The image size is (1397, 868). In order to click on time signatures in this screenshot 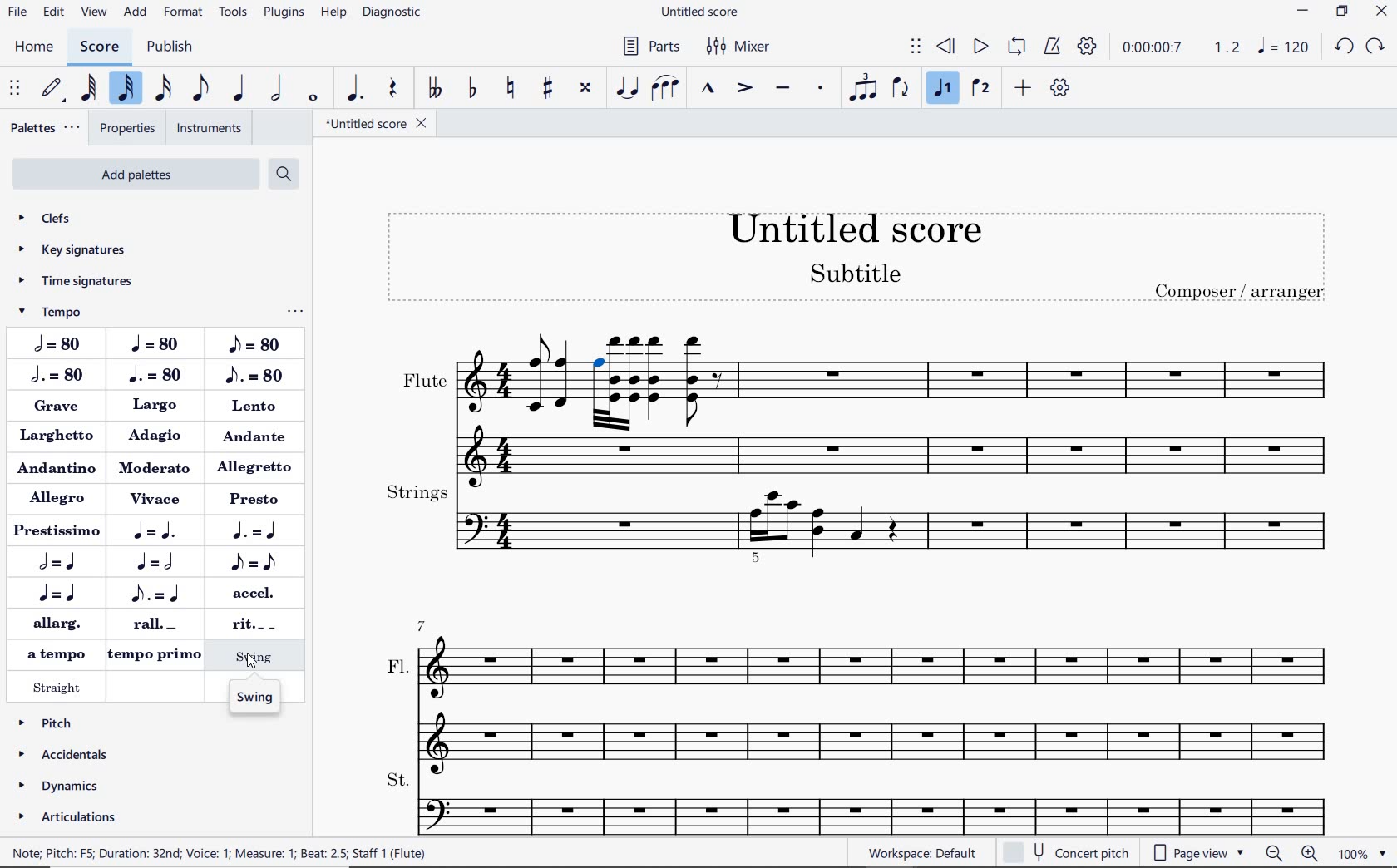, I will do `click(81, 279)`.